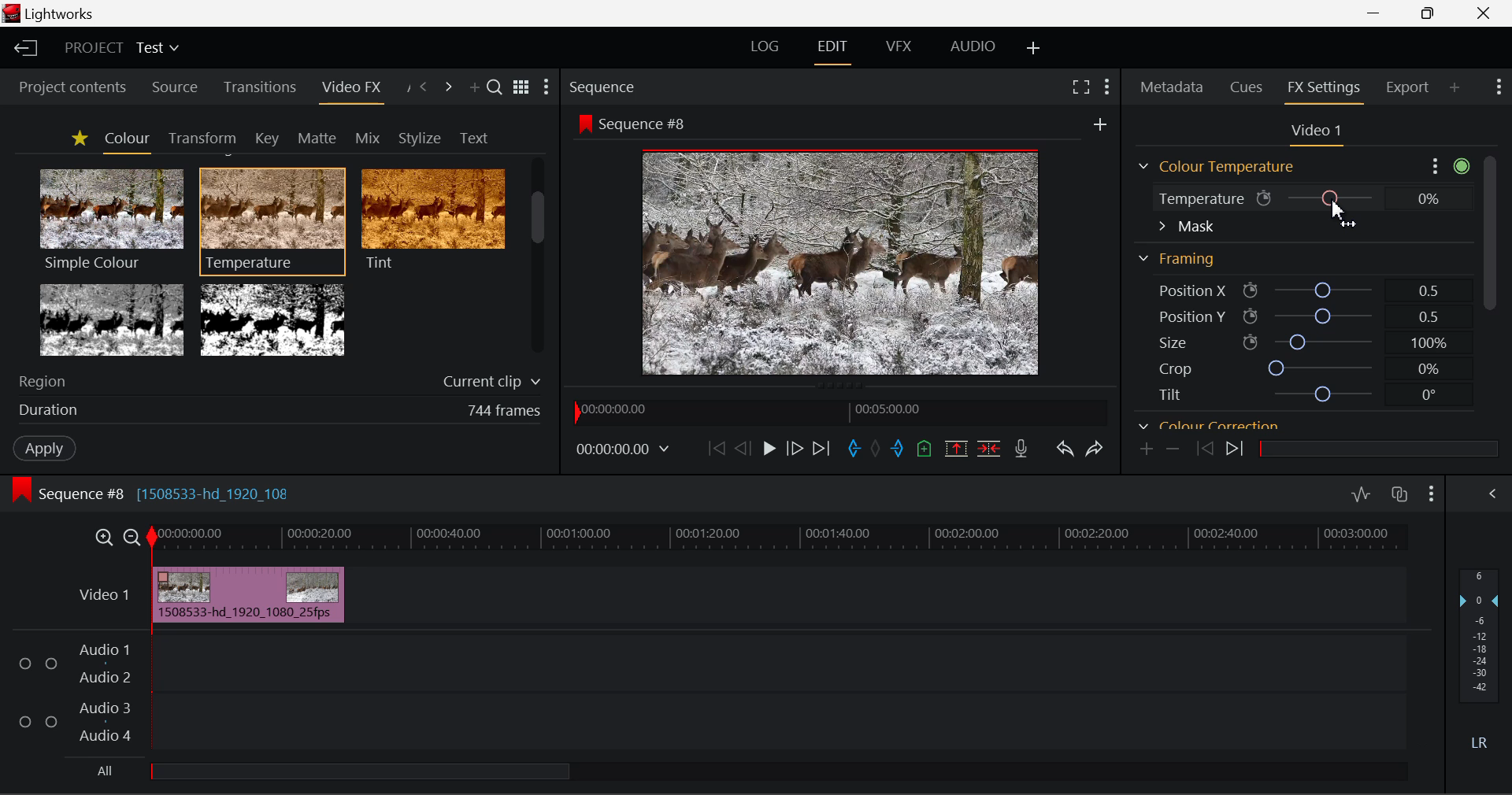 This screenshot has height=795, width=1512. Describe the element at coordinates (1374, 12) in the screenshot. I see `Restore Down` at that location.